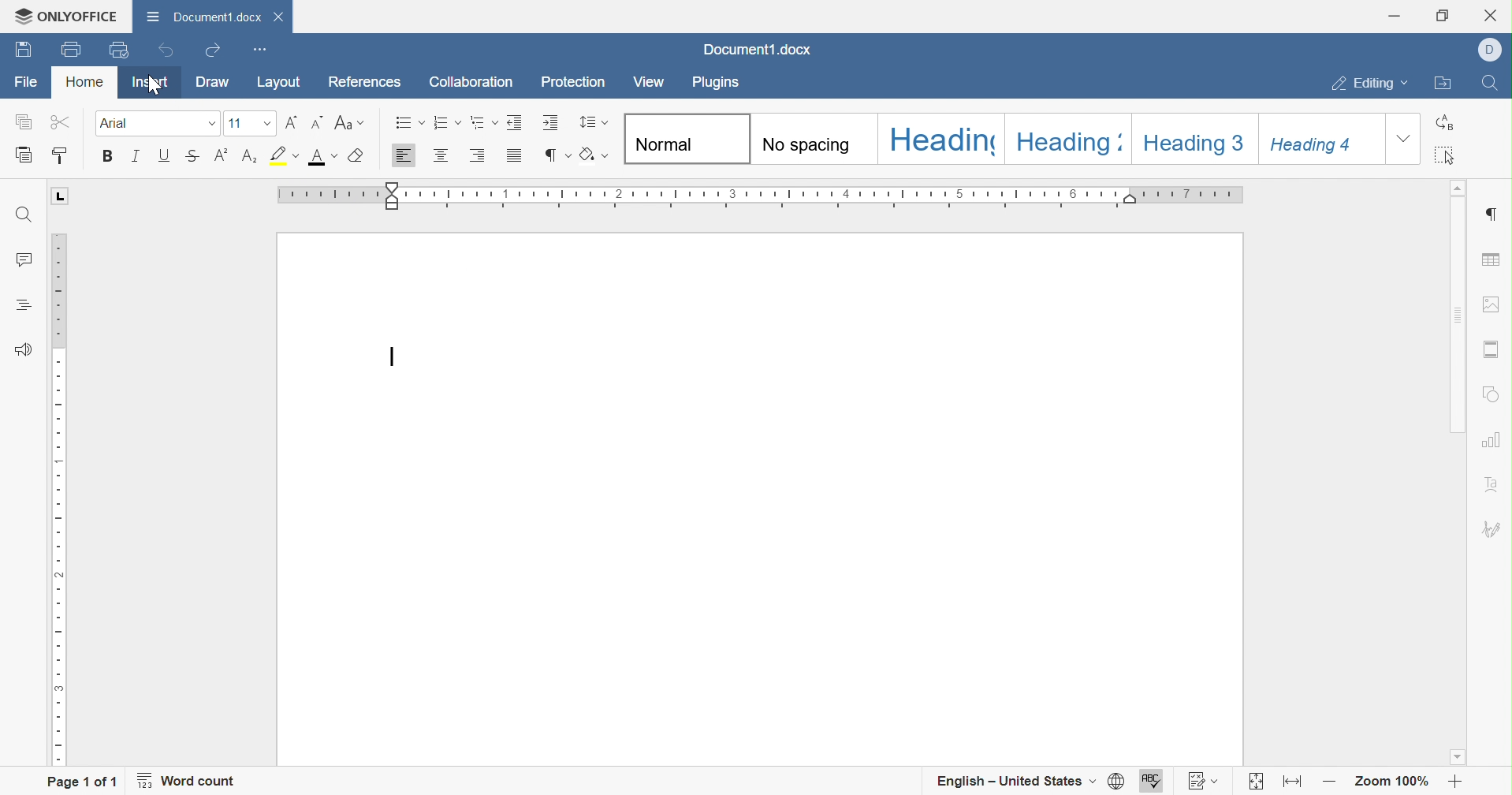 The width and height of the screenshot is (1512, 795). I want to click on Docuemnt1.docx, so click(758, 50).